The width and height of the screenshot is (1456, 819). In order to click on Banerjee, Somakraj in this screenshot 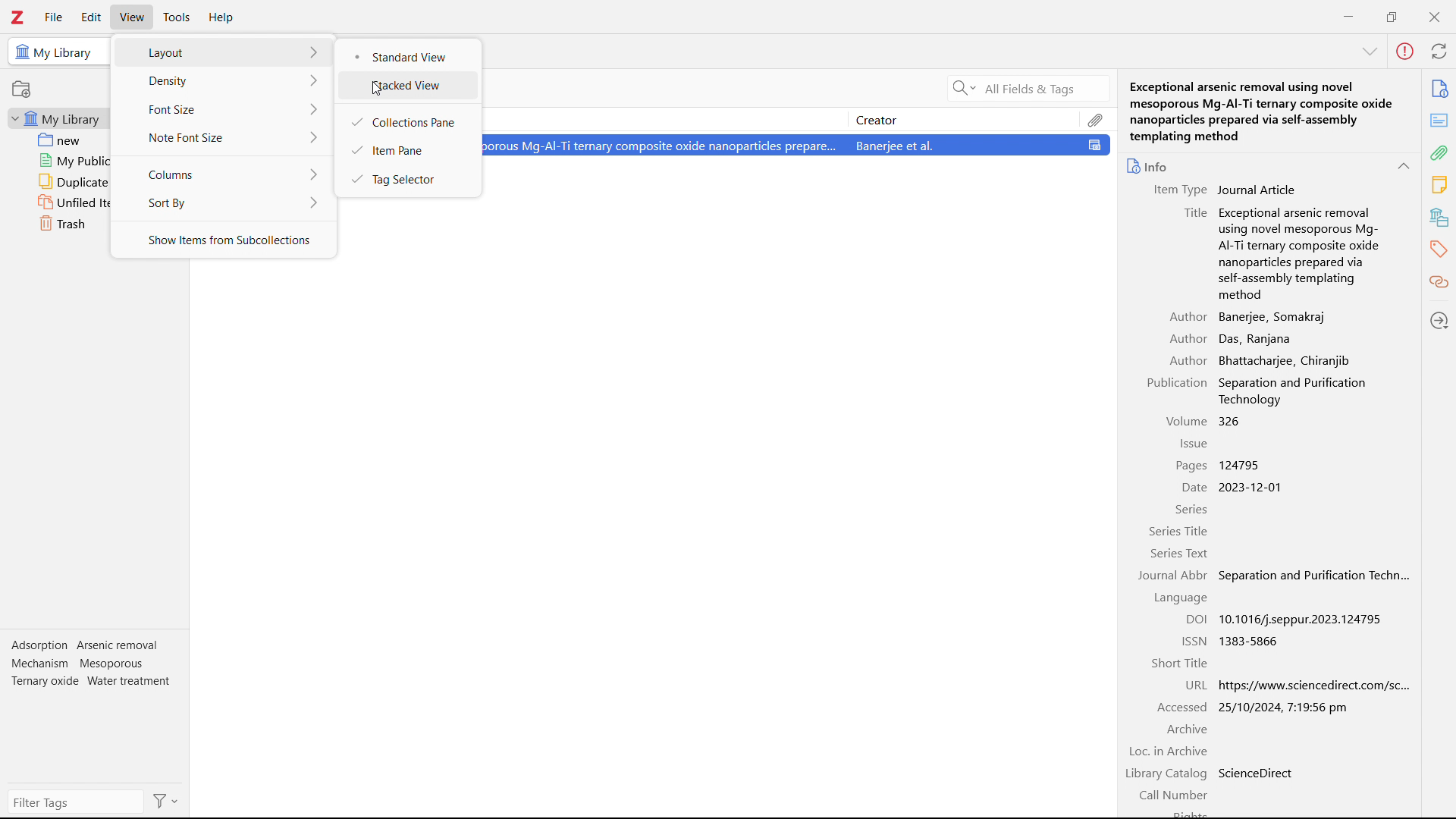, I will do `click(1276, 316)`.